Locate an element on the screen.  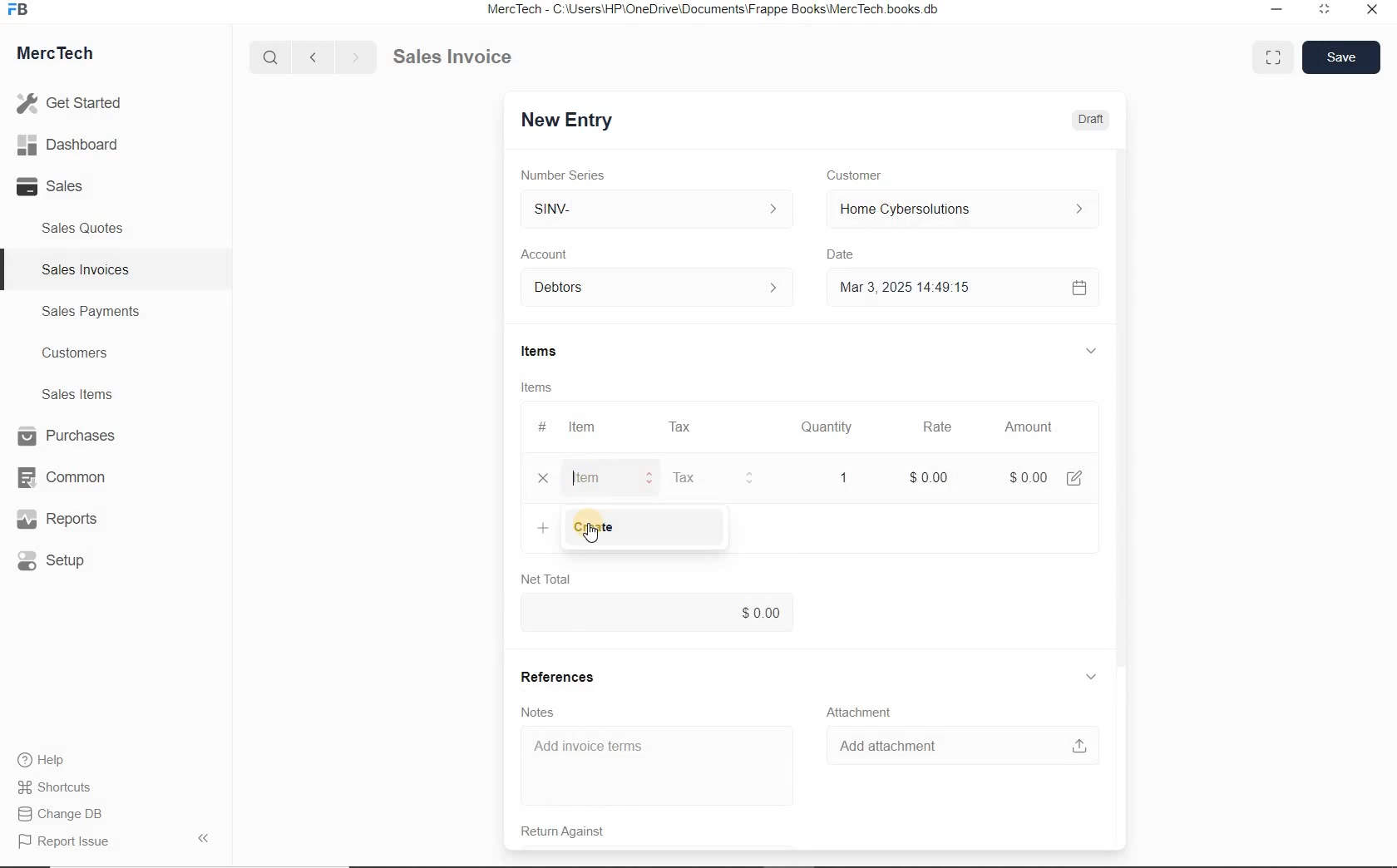
Hide Sidebar is located at coordinates (202, 837).